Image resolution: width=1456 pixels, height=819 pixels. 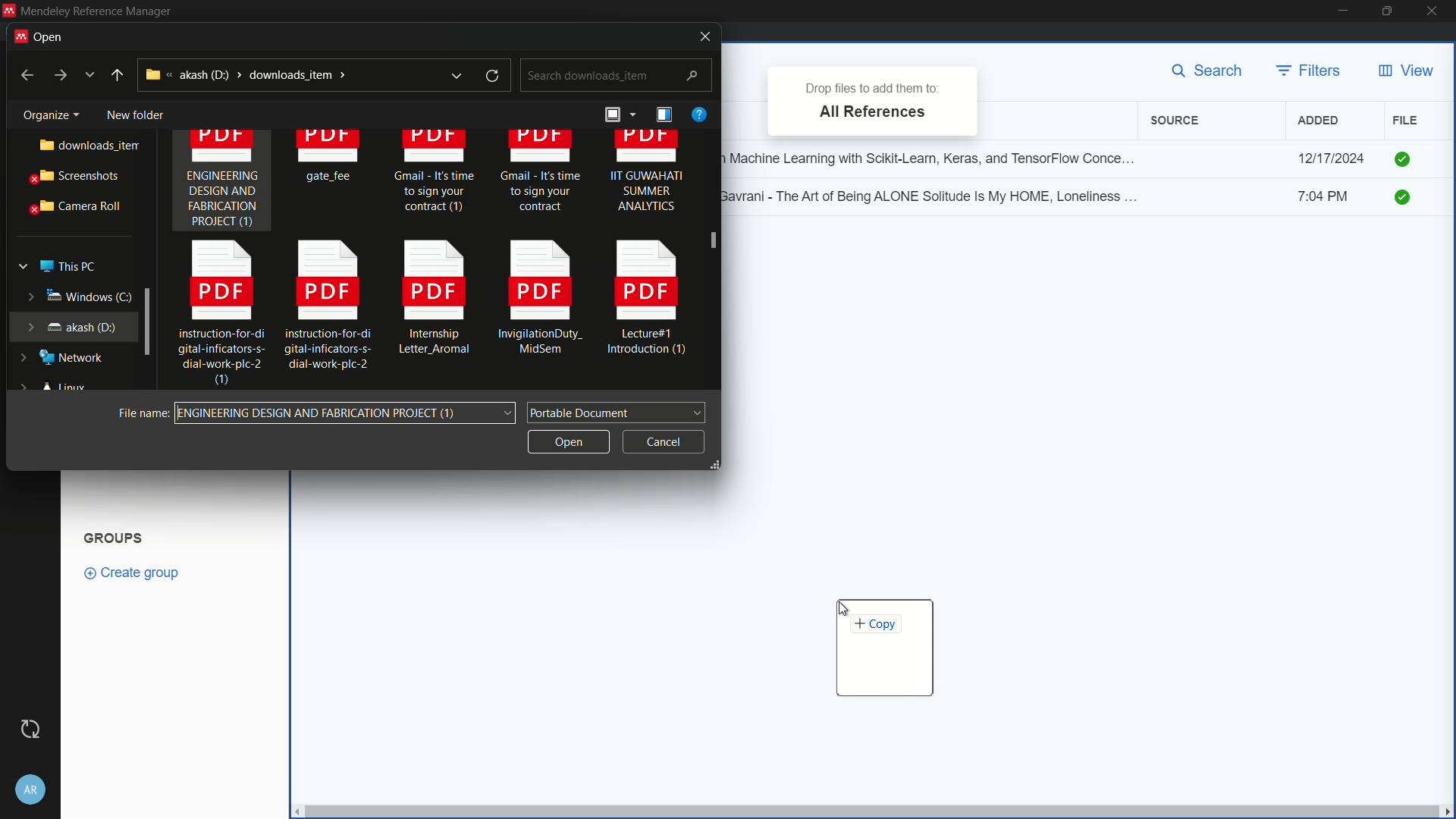 I want to click on Gmail - It's time
to sign your
contract (1), so click(x=434, y=178).